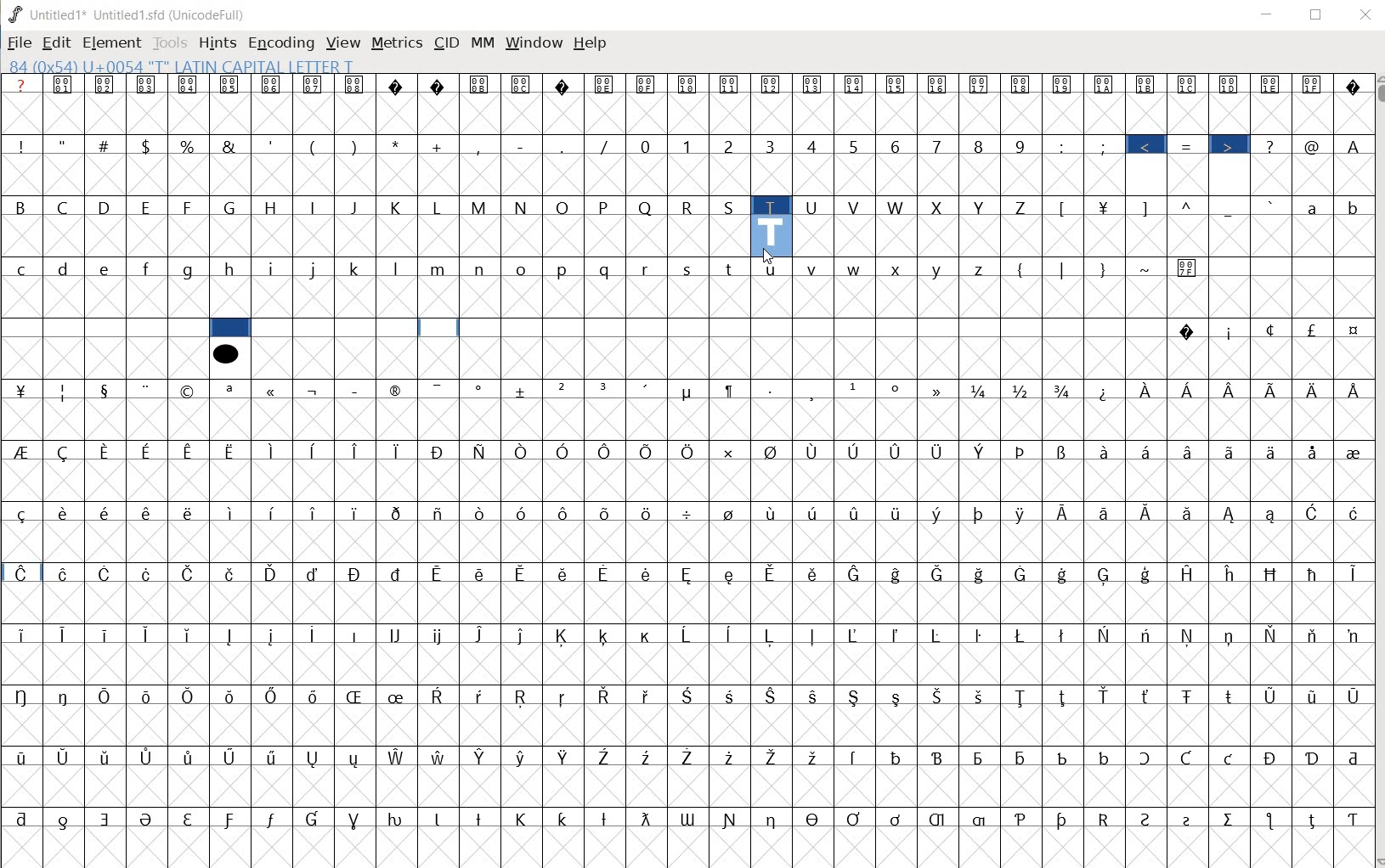  I want to click on Symbol, so click(399, 389).